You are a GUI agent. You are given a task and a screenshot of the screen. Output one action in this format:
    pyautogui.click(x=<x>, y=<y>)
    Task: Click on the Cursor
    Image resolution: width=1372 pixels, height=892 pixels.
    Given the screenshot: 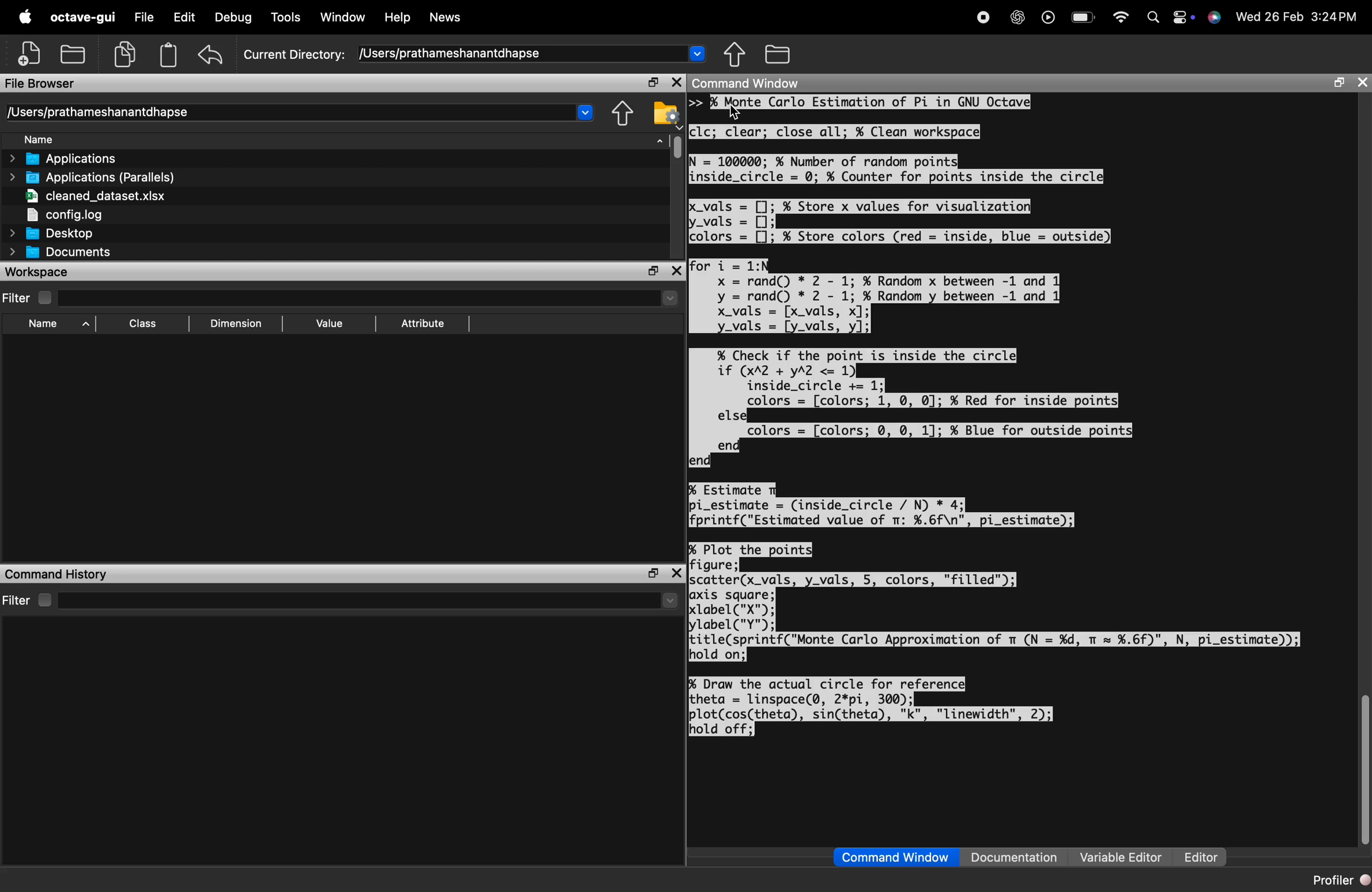 What is the action you would take?
    pyautogui.click(x=737, y=112)
    